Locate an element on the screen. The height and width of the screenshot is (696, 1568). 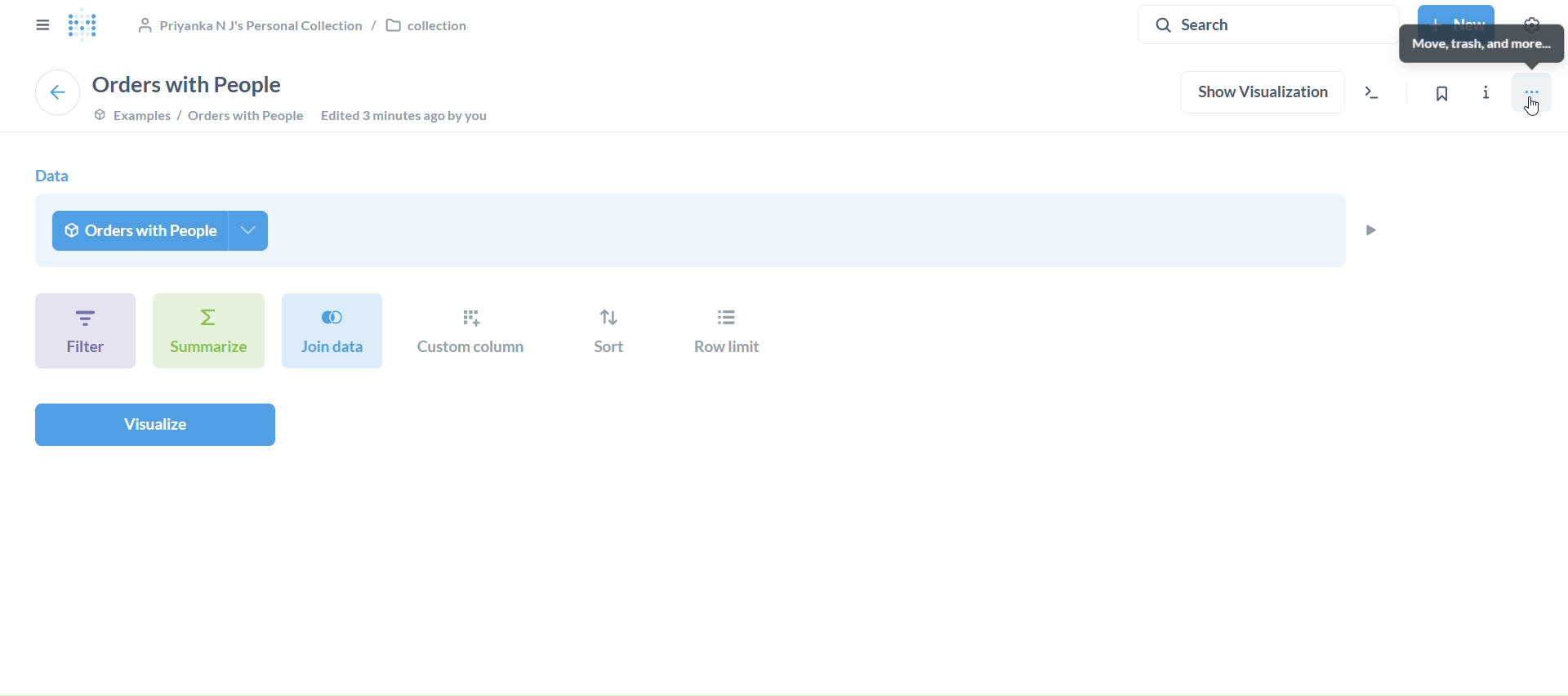
show visualization is located at coordinates (1263, 91).